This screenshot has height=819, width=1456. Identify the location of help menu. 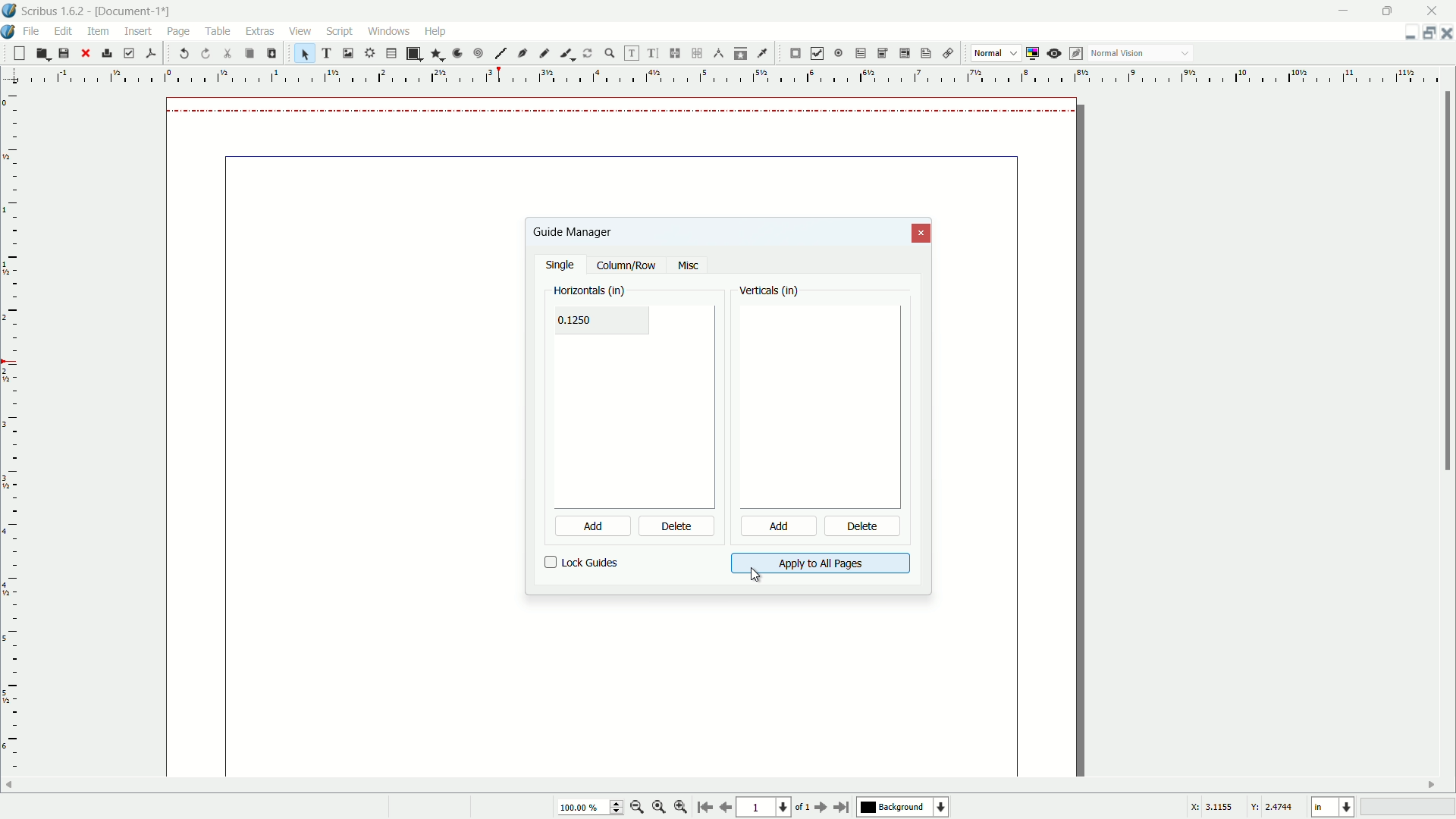
(435, 30).